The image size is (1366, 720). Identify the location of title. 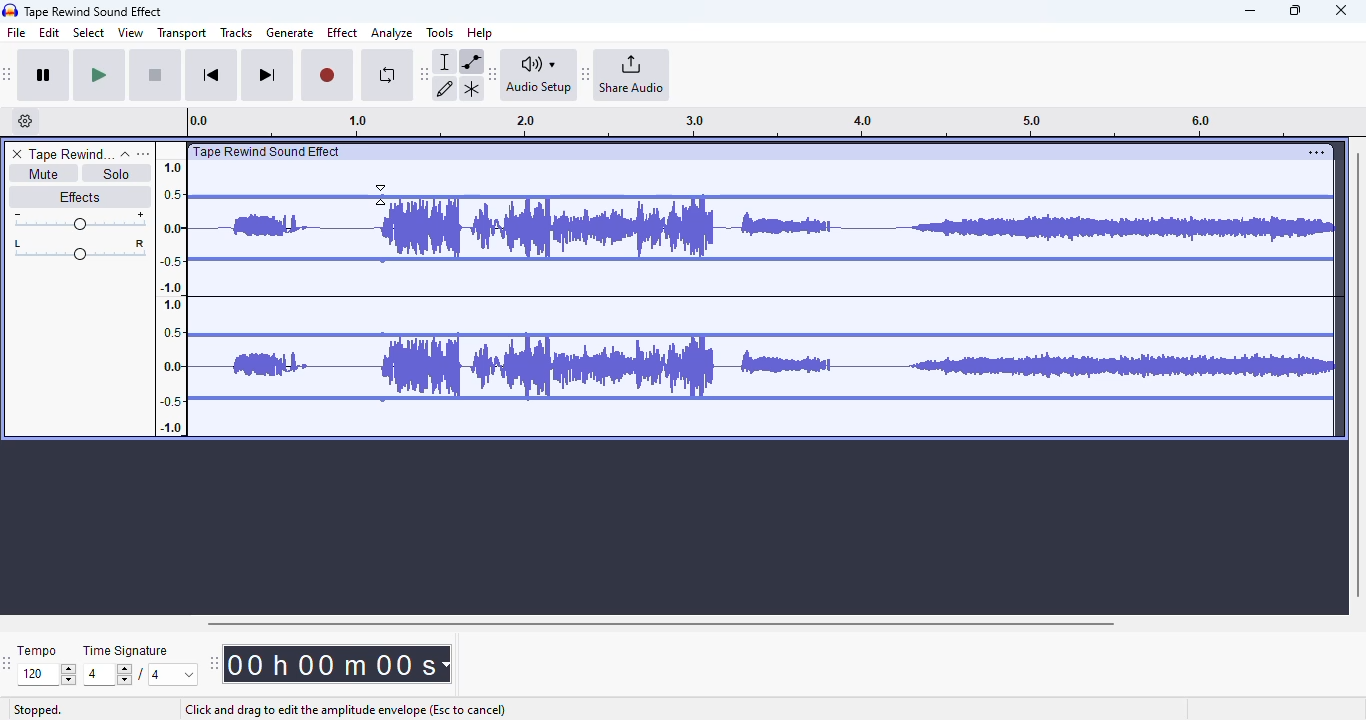
(94, 11).